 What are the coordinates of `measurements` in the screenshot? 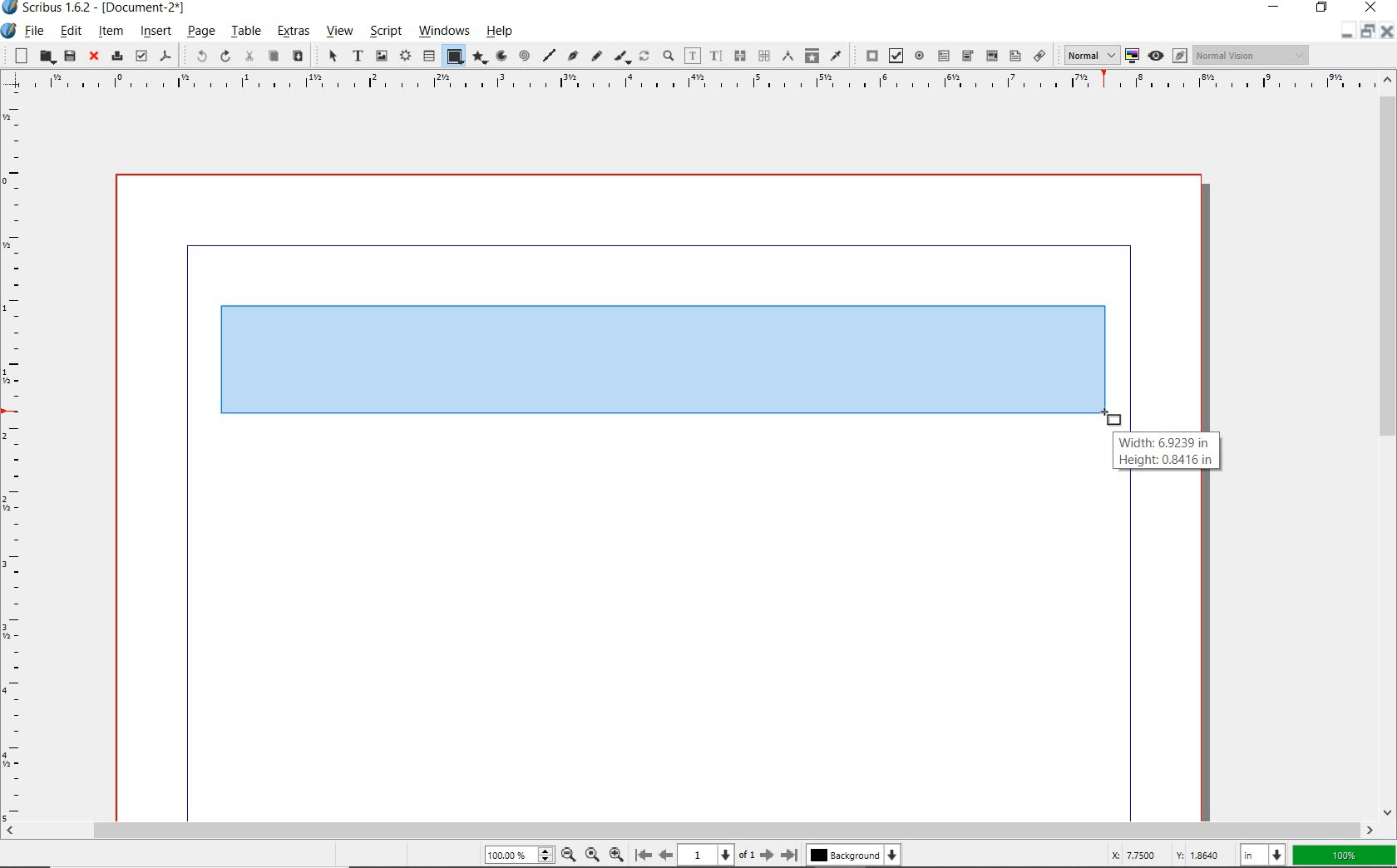 It's located at (786, 57).